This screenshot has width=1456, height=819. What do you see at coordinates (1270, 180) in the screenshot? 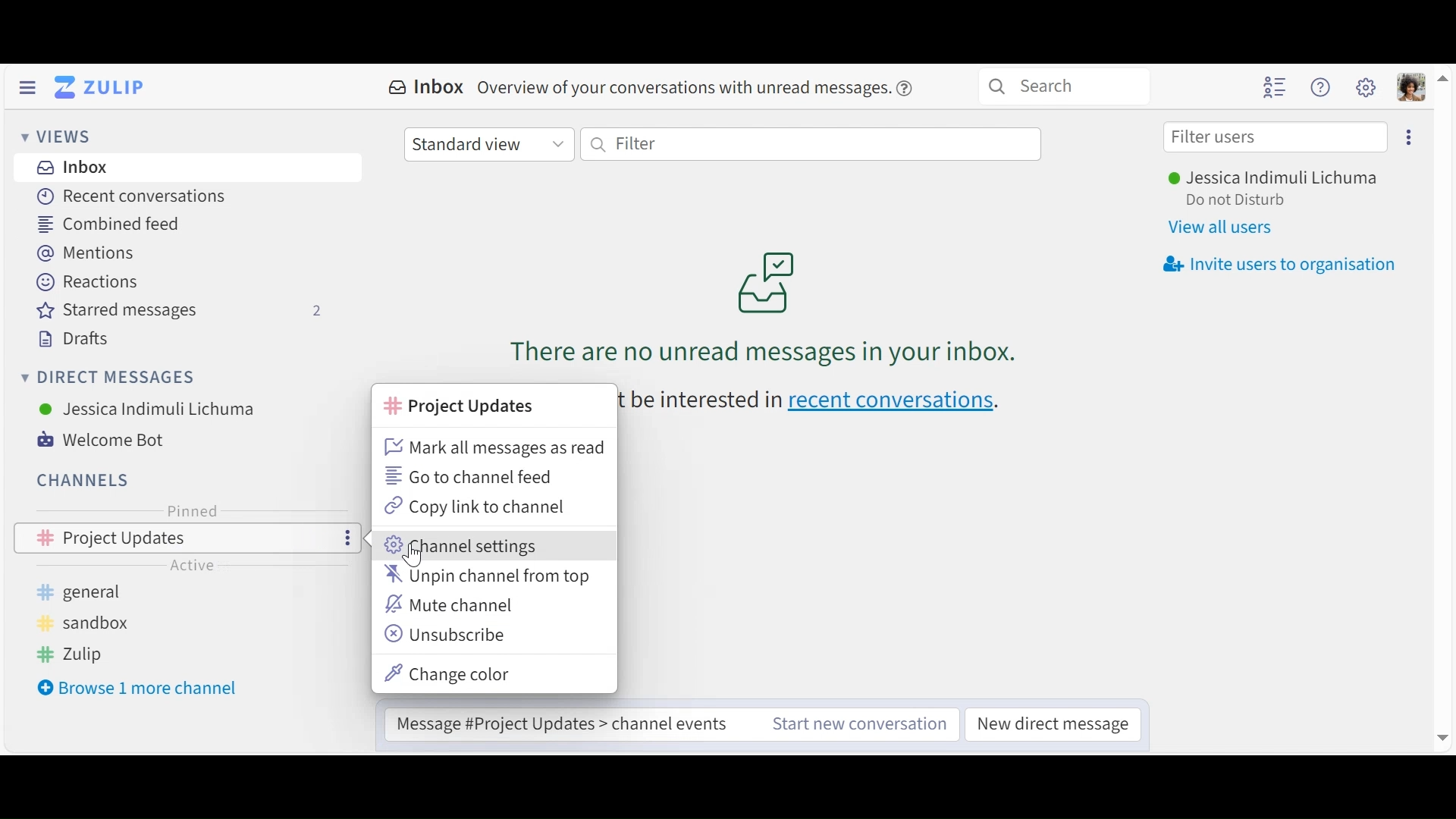
I see `Username` at bounding box center [1270, 180].